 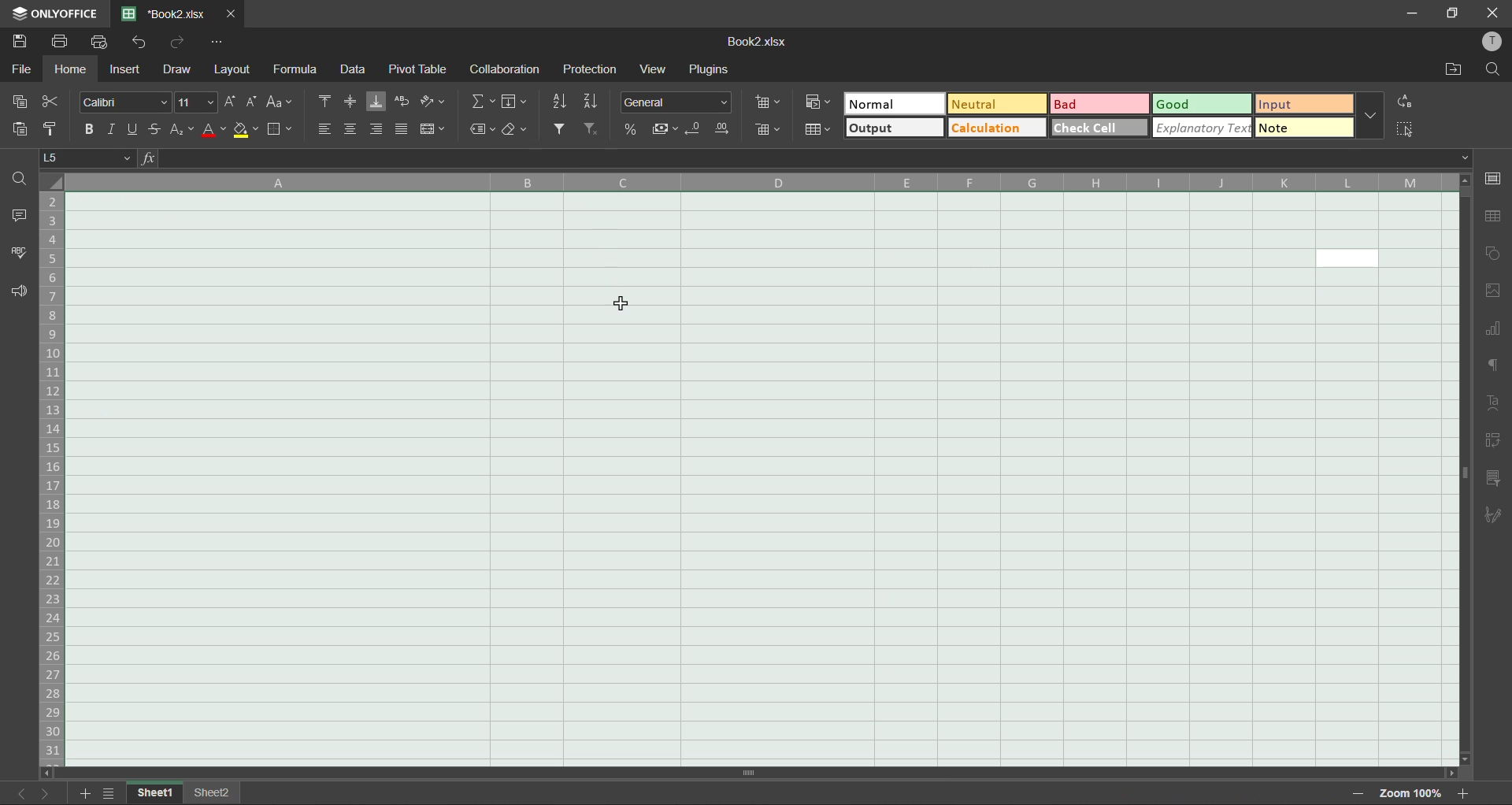 I want to click on conditional formatting, so click(x=816, y=101).